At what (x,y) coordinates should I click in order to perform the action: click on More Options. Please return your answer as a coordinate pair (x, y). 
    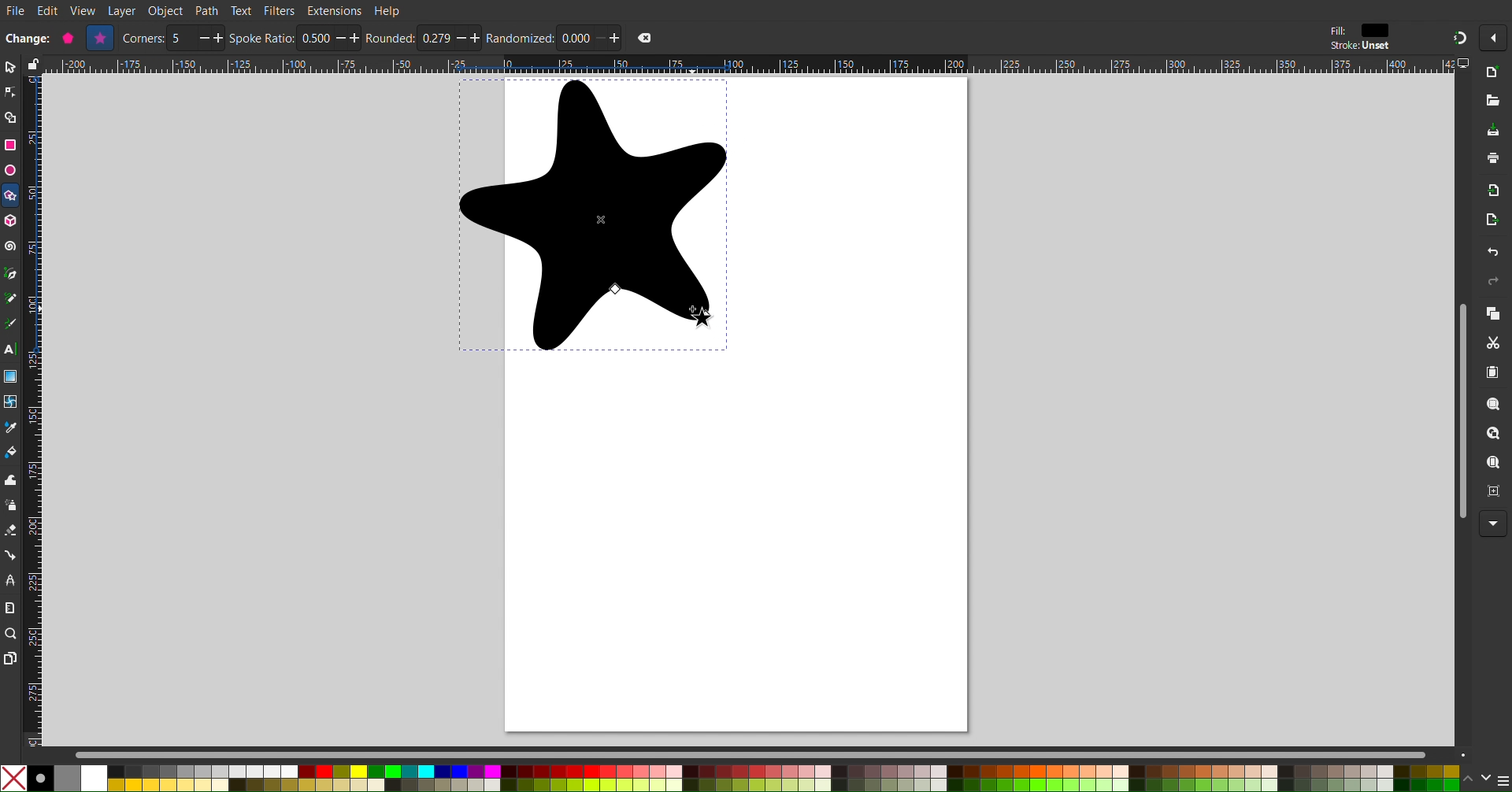
    Looking at the image, I should click on (1494, 524).